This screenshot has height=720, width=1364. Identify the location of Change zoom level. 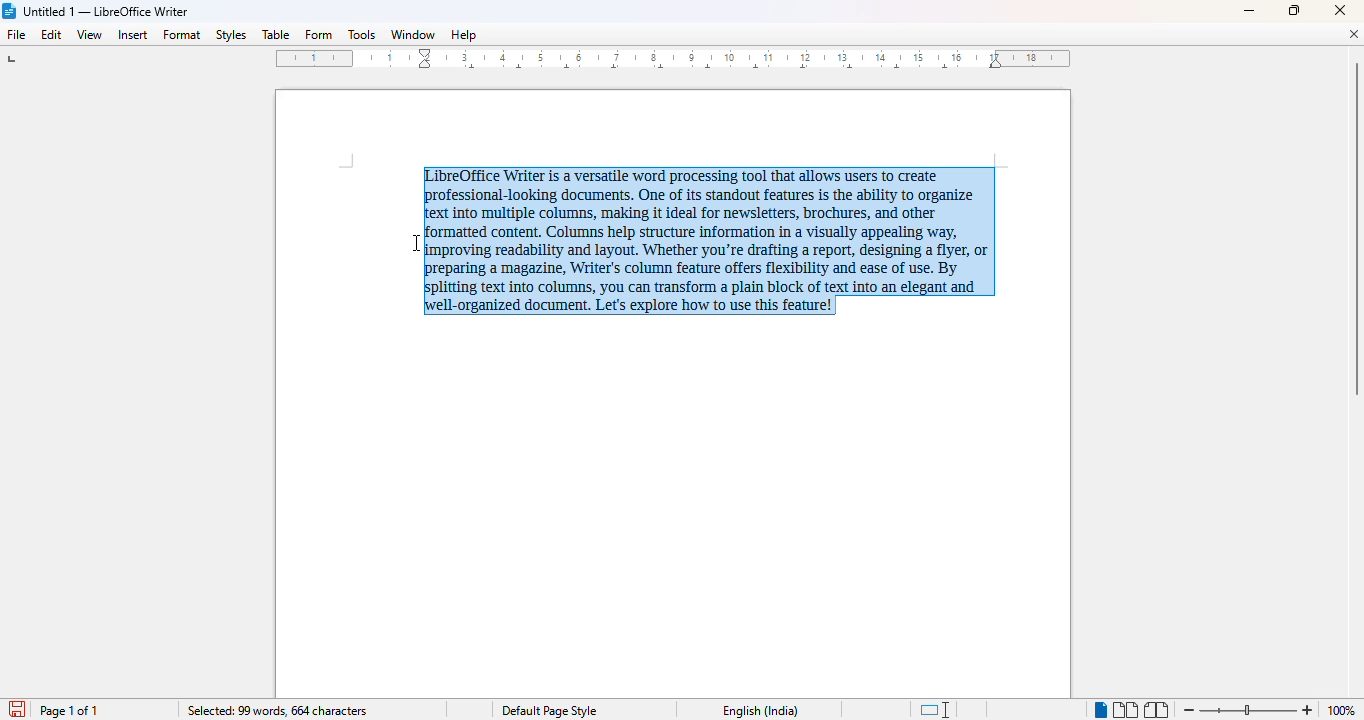
(1248, 707).